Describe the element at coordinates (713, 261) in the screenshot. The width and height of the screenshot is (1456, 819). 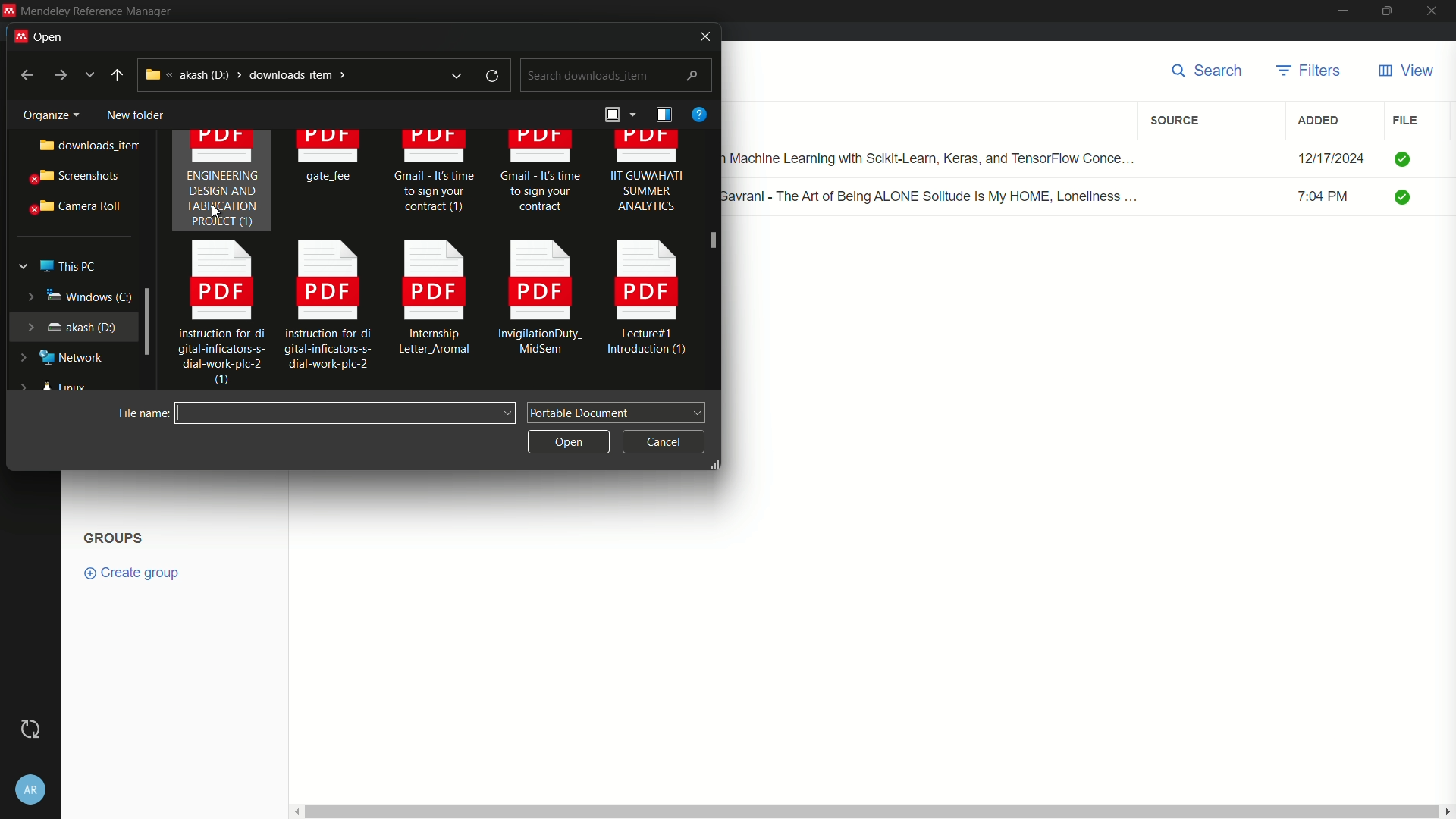
I see `scroll bar` at that location.